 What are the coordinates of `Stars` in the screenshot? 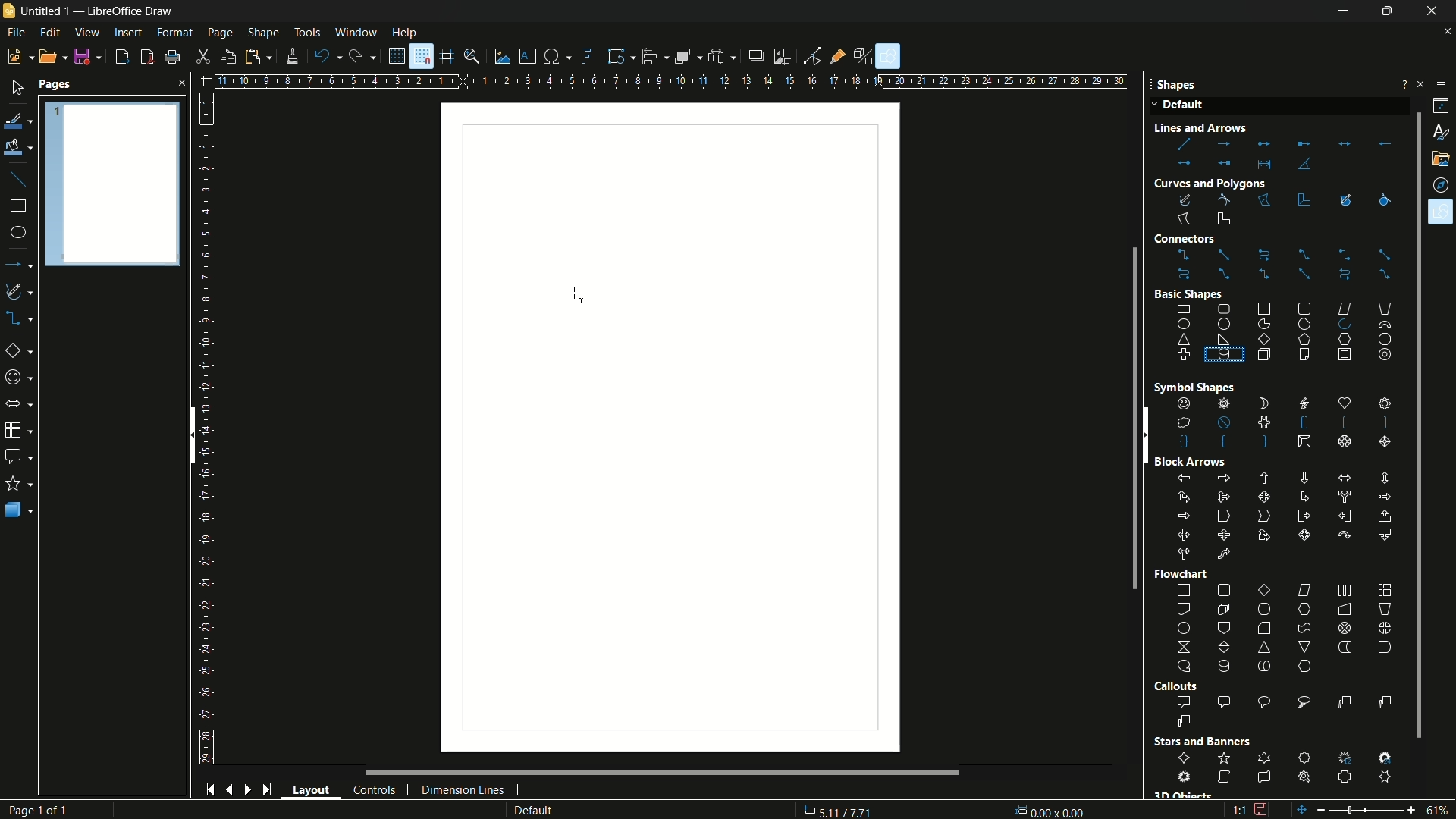 It's located at (1207, 742).